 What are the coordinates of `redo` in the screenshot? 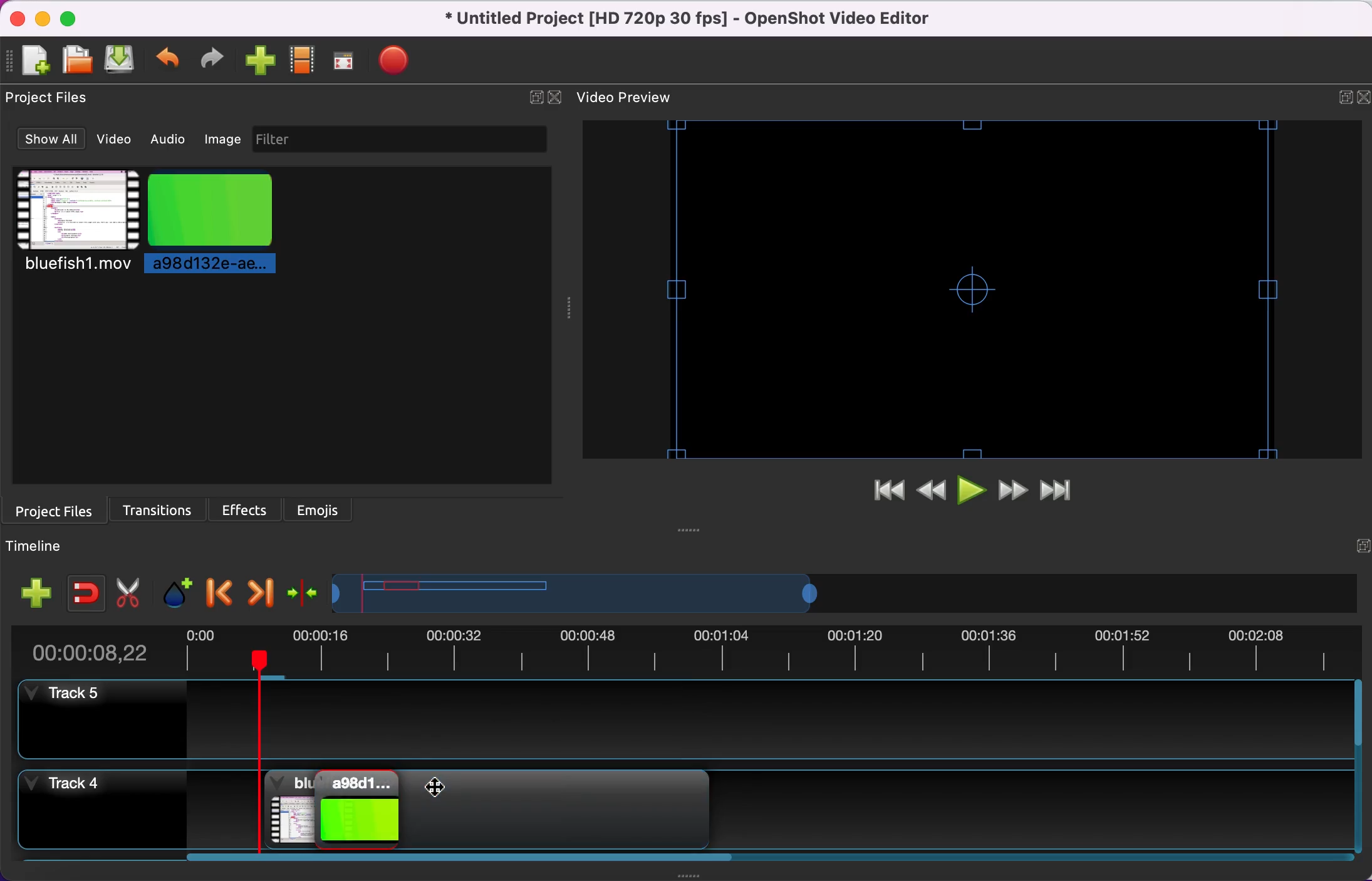 It's located at (210, 58).